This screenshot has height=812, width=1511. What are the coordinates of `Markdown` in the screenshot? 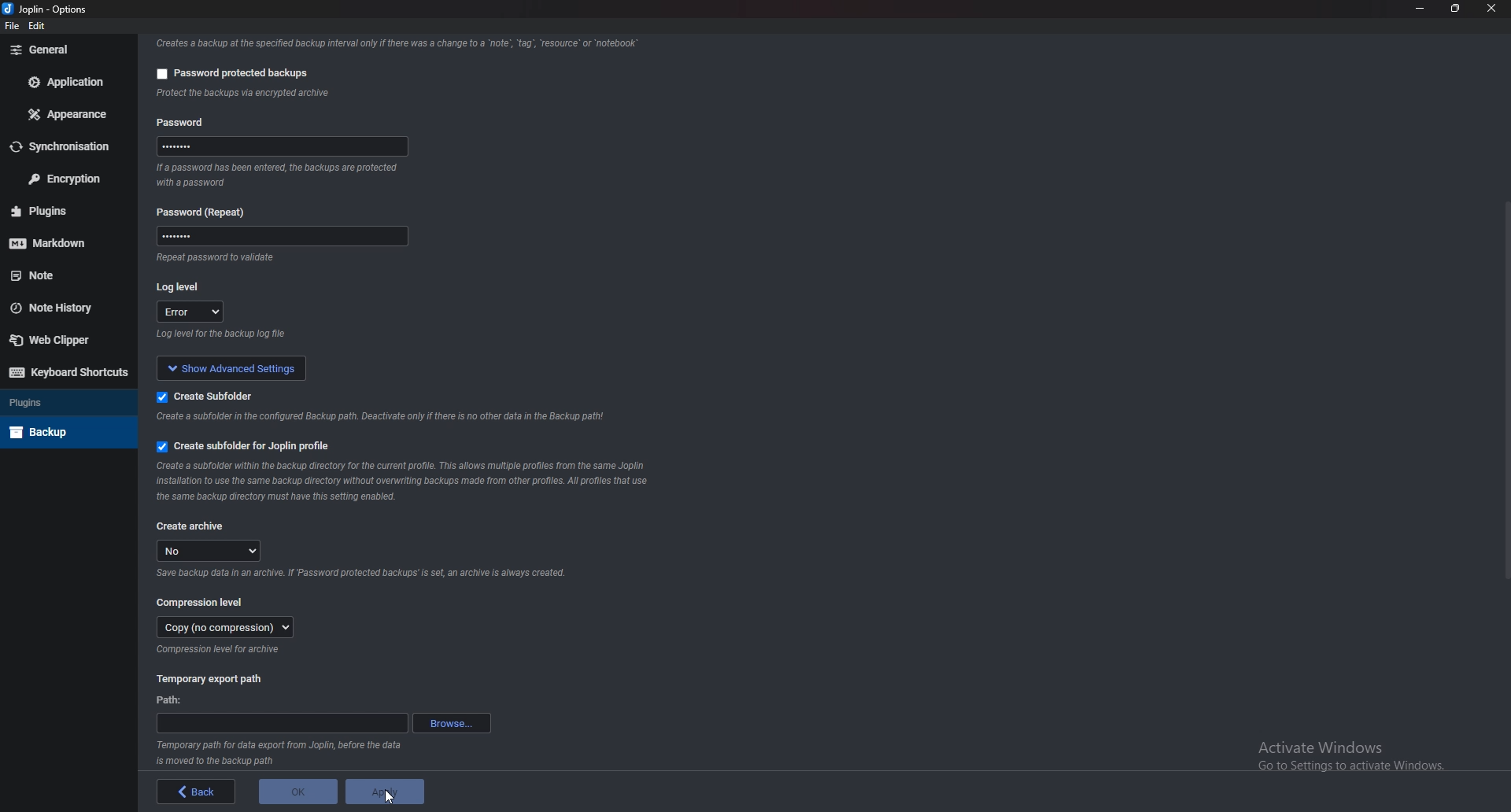 It's located at (67, 241).